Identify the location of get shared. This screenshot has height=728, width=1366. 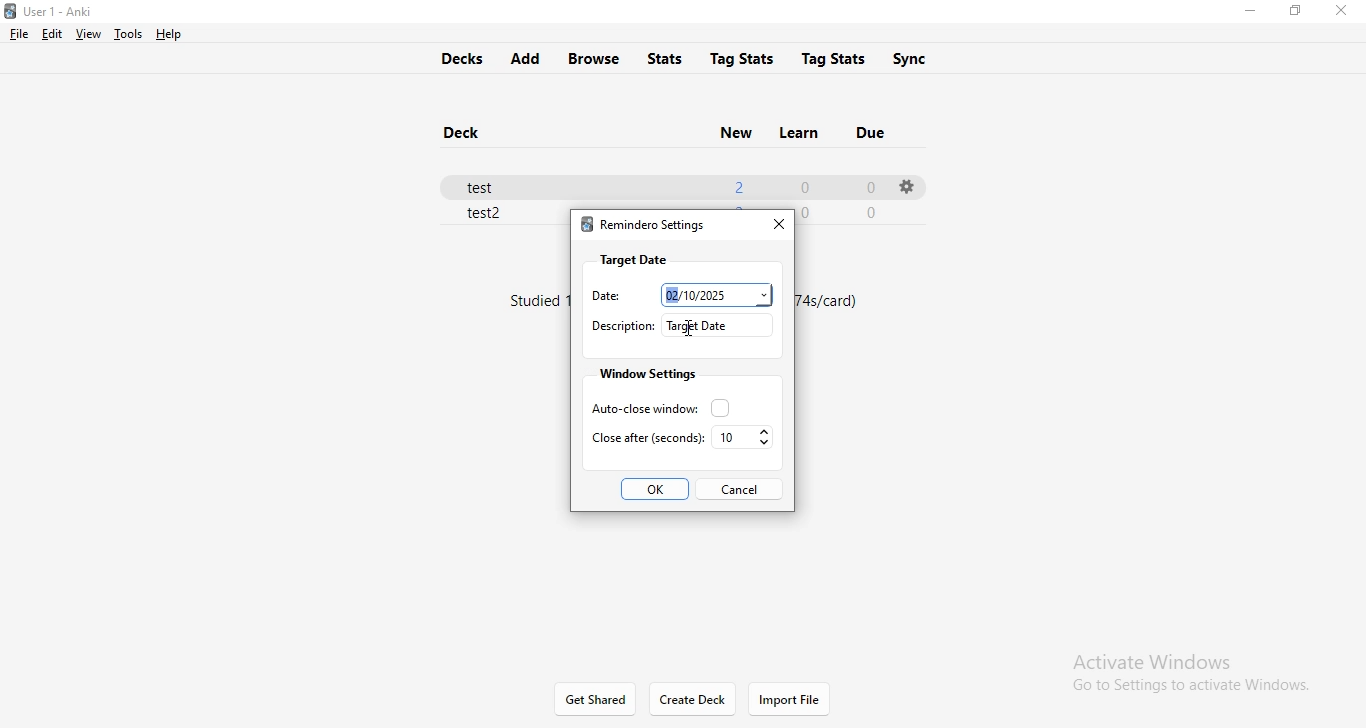
(597, 700).